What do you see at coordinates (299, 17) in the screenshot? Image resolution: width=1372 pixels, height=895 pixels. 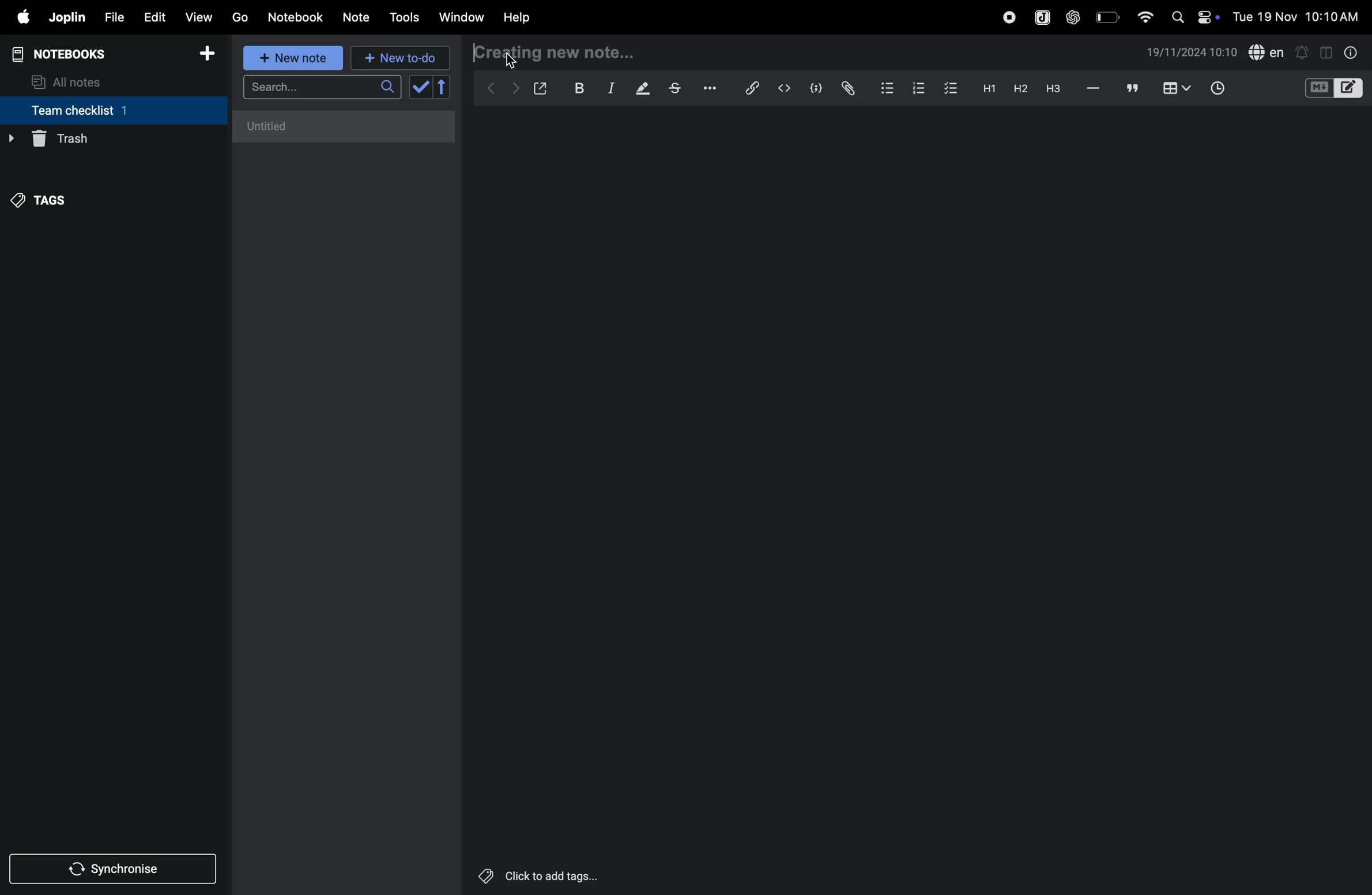 I see `Notebook` at bounding box center [299, 17].